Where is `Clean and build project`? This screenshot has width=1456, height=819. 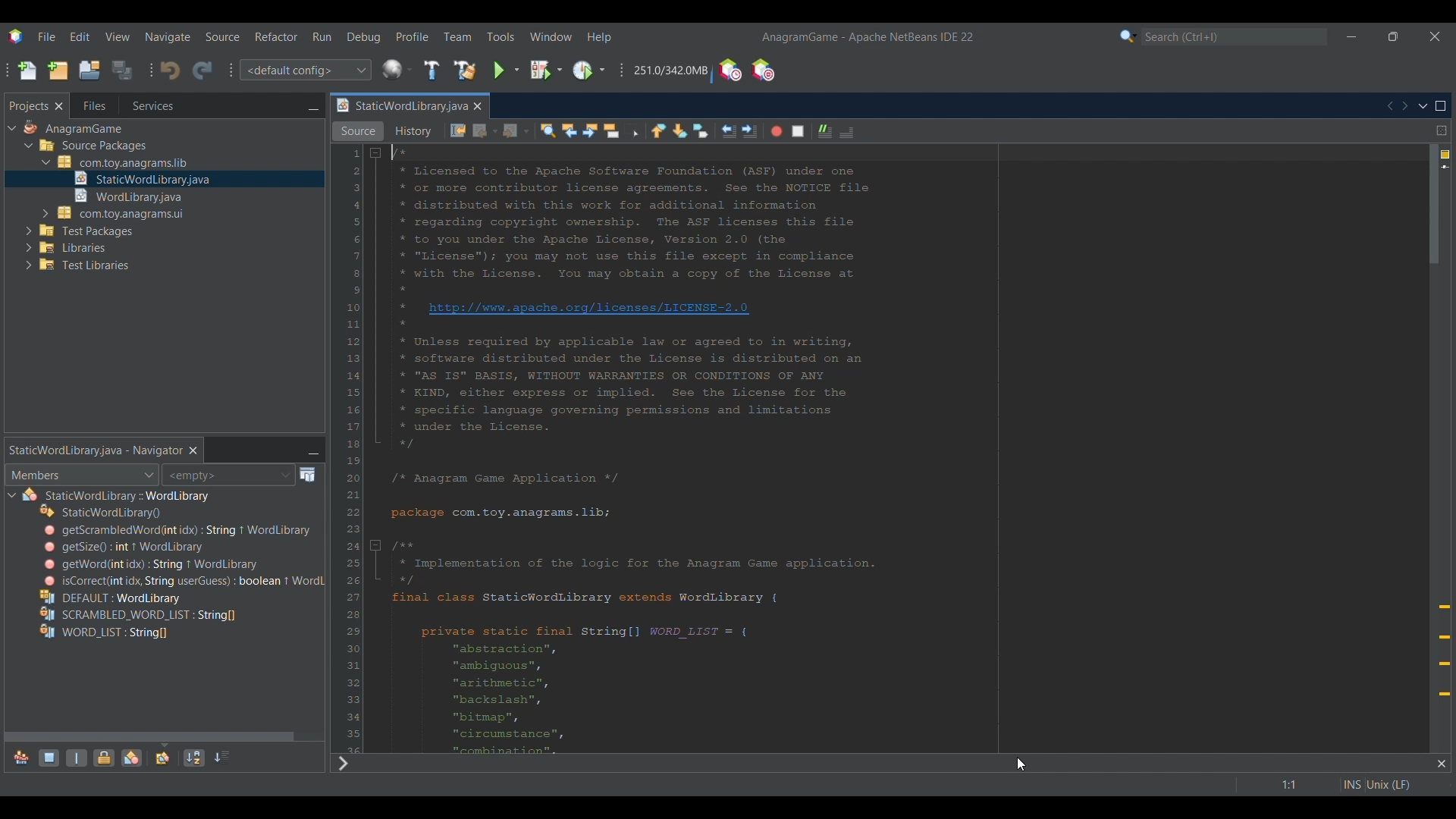
Clean and build project is located at coordinates (466, 71).